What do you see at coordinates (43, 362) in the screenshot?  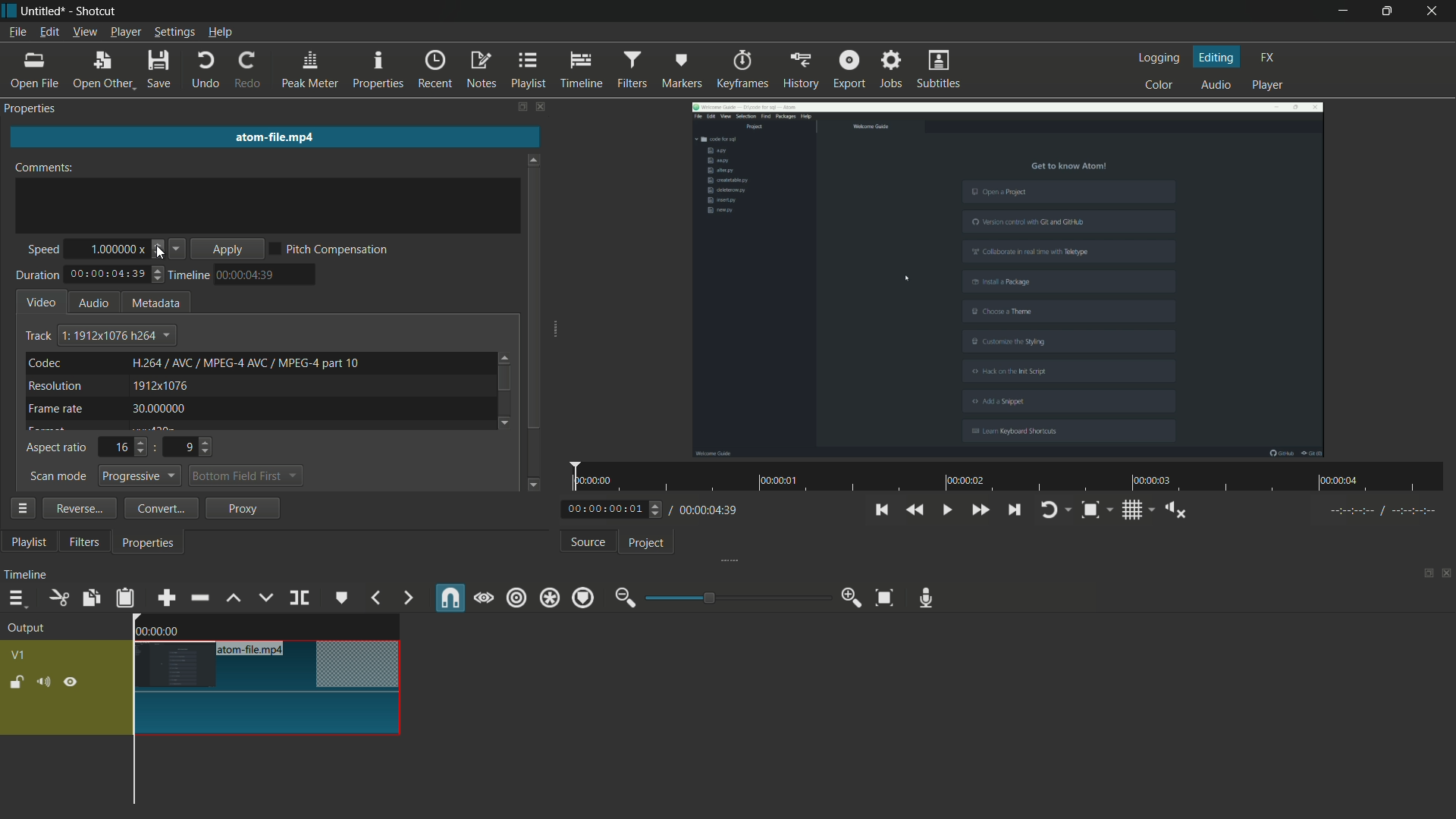 I see `codec` at bounding box center [43, 362].